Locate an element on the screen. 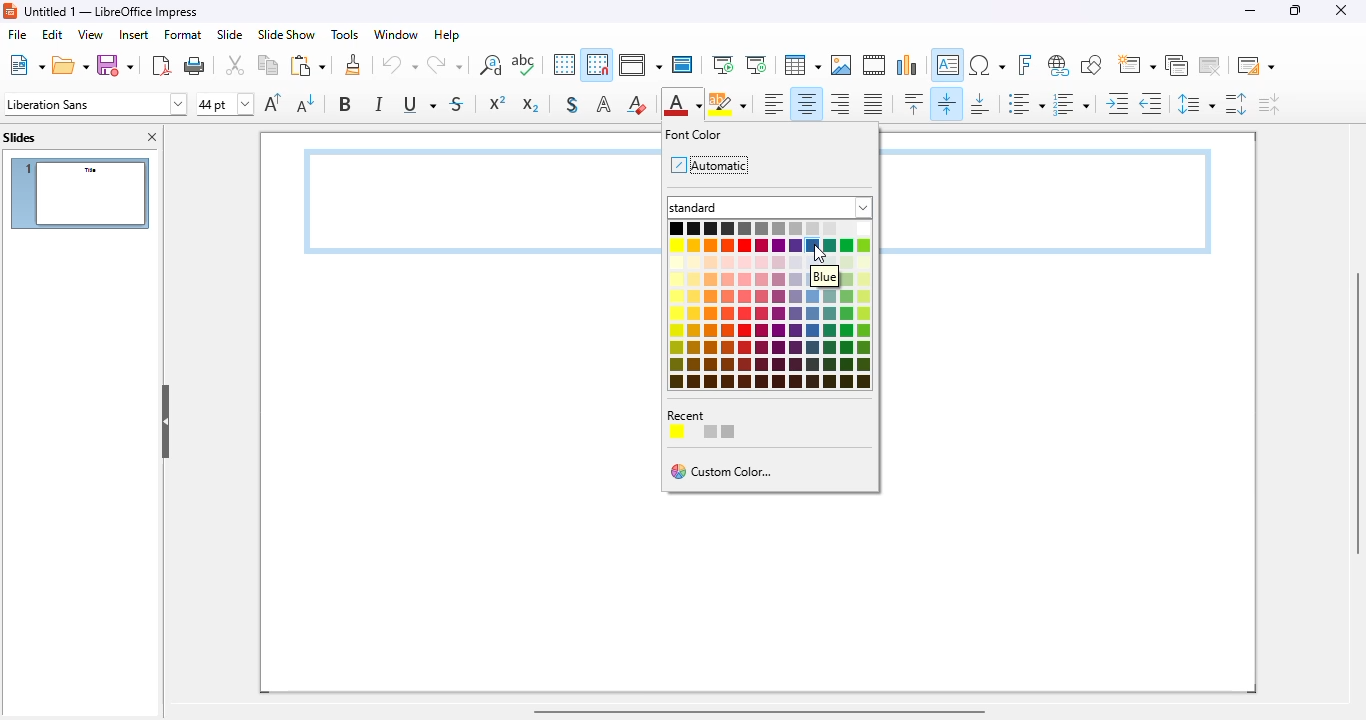 This screenshot has width=1366, height=720. new slide is located at coordinates (1137, 65).